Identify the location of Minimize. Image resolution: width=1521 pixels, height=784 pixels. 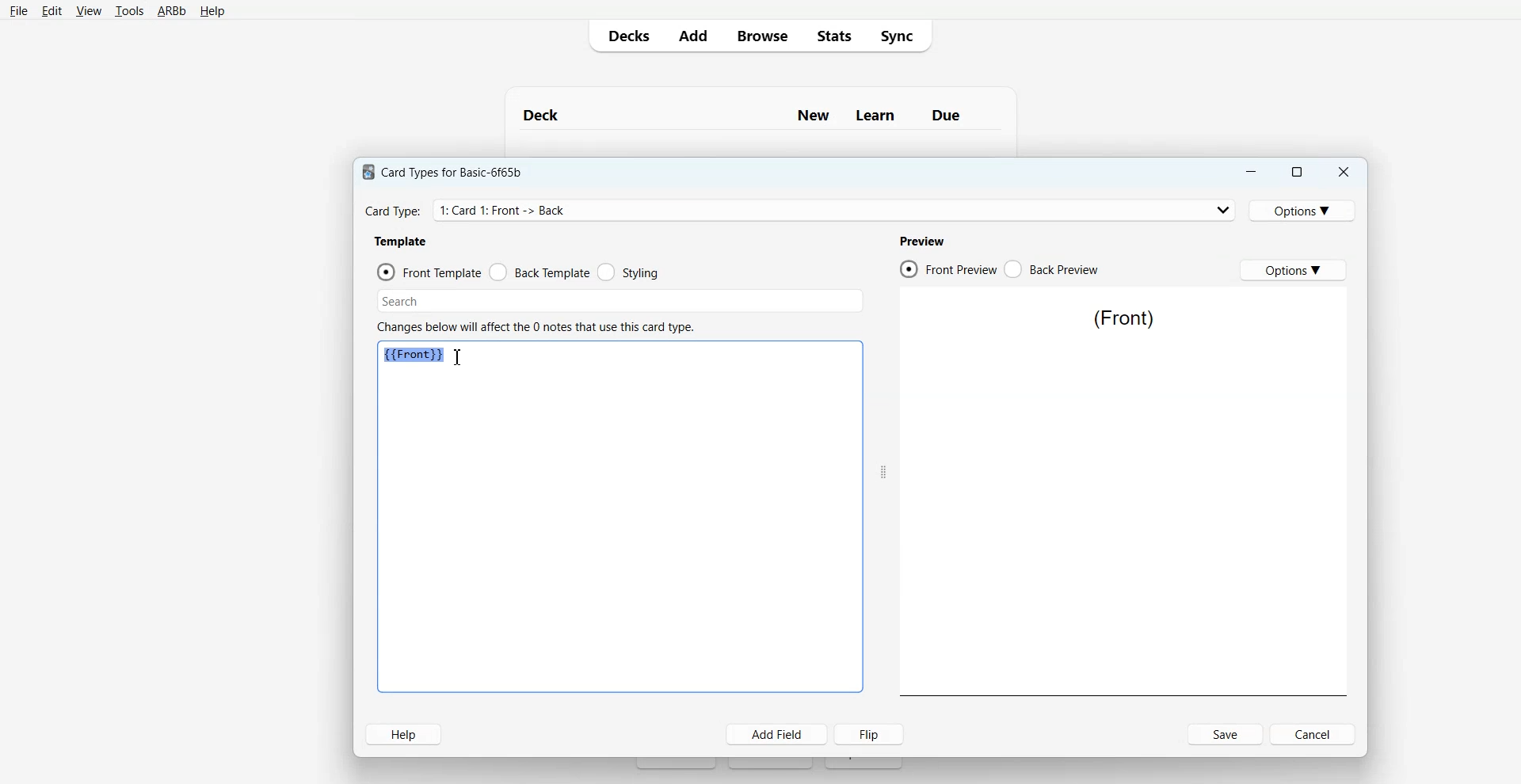
(1252, 171).